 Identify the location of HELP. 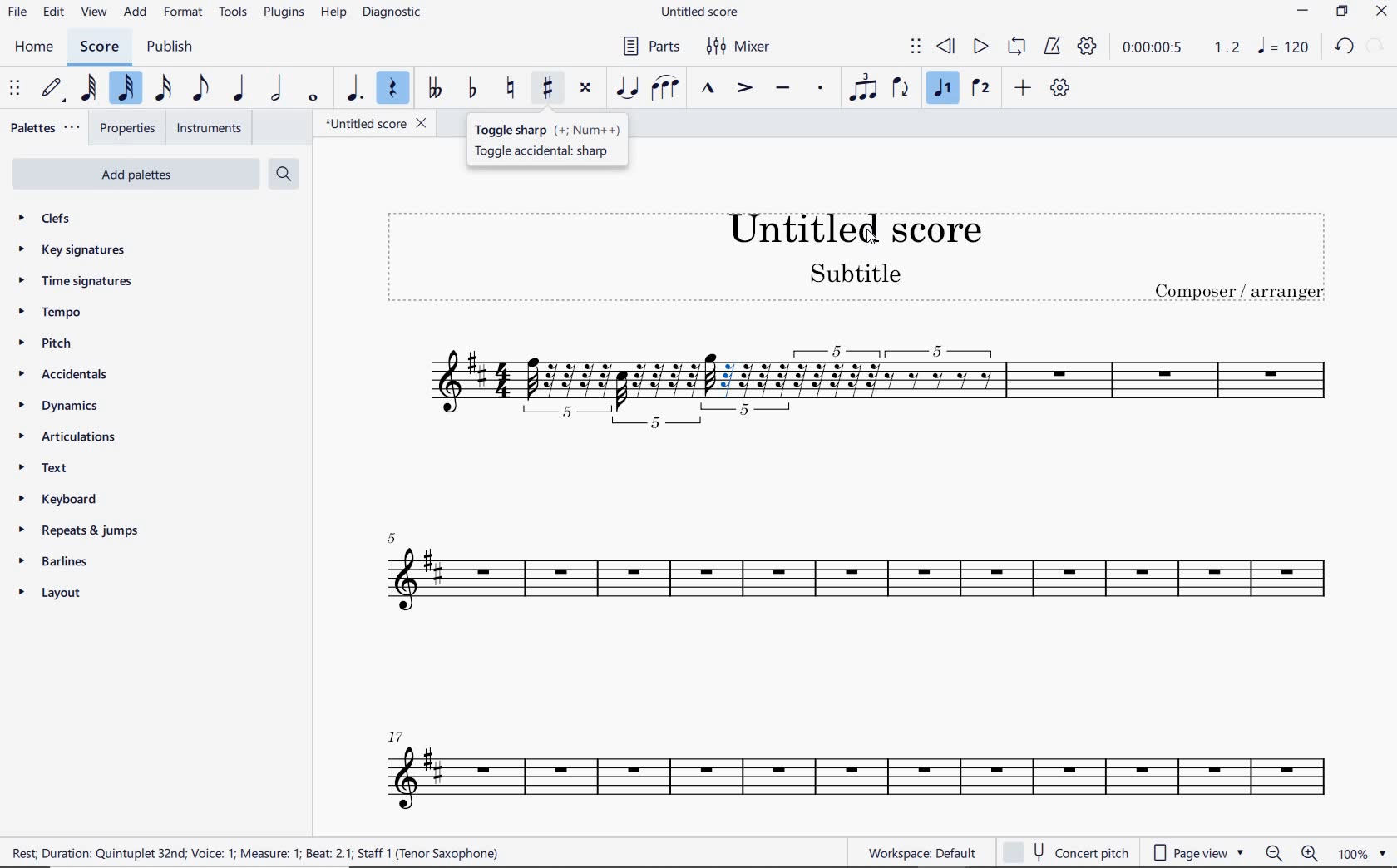
(333, 14).